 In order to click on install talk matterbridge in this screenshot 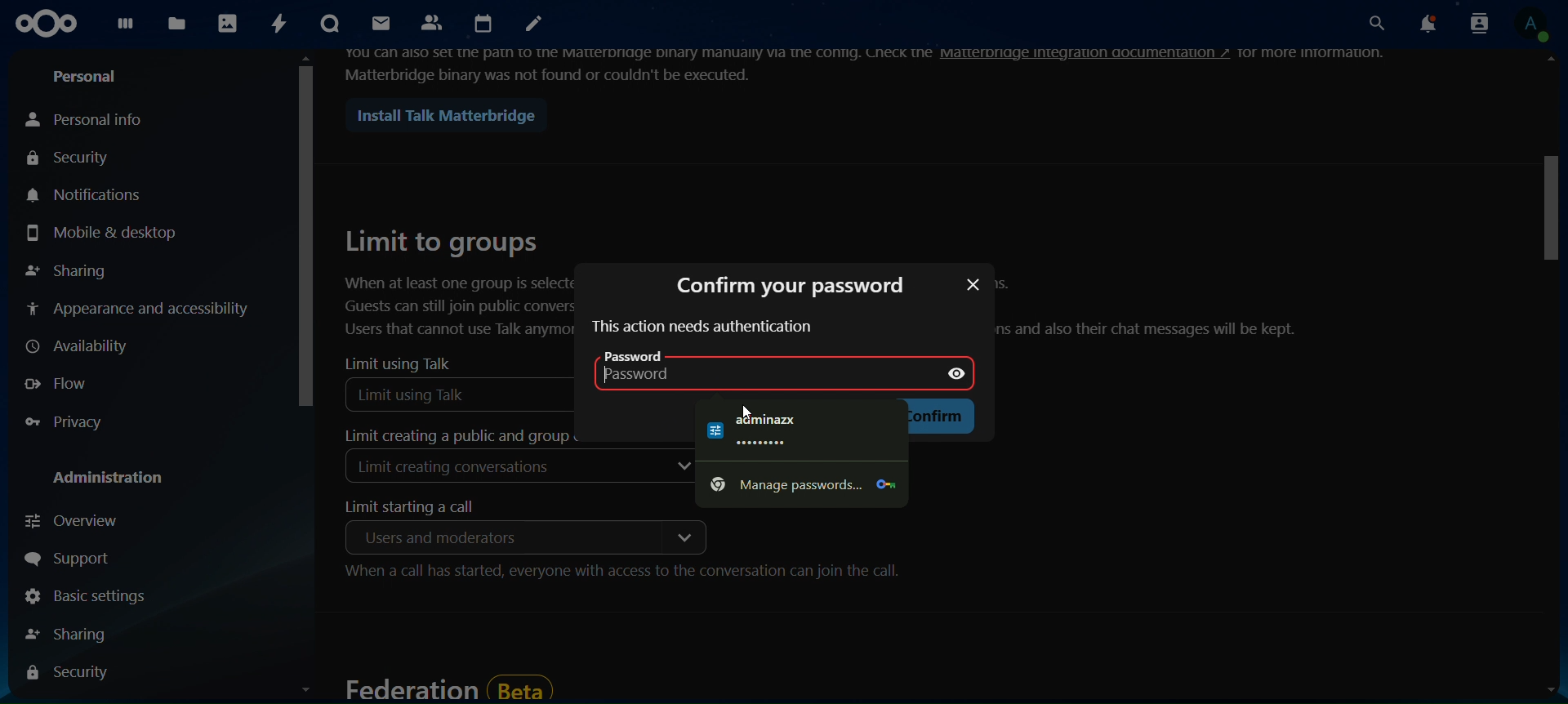, I will do `click(439, 116)`.